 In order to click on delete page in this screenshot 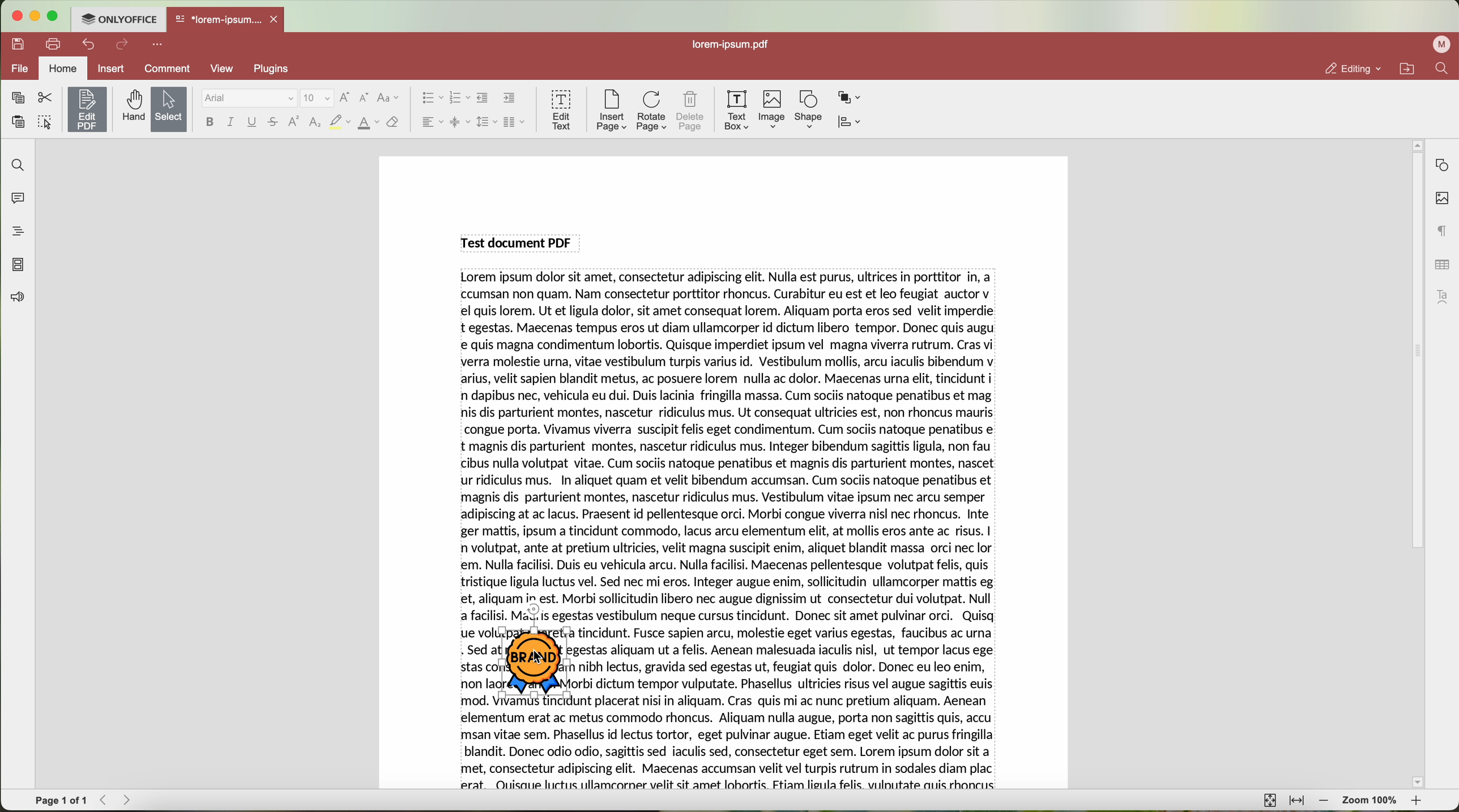, I will do `click(691, 113)`.